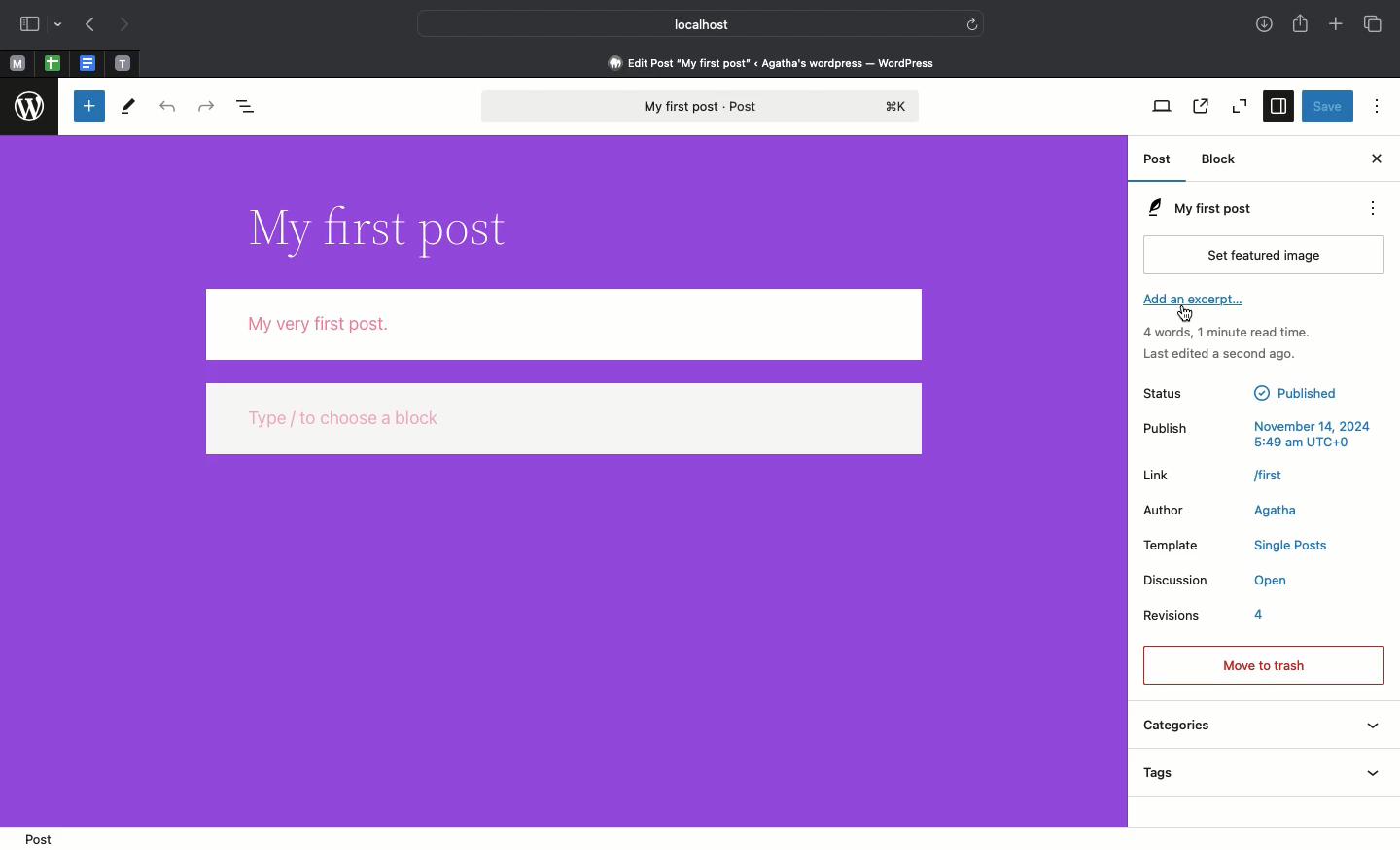 The width and height of the screenshot is (1400, 850). What do you see at coordinates (87, 107) in the screenshot?
I see `Toggle block` at bounding box center [87, 107].